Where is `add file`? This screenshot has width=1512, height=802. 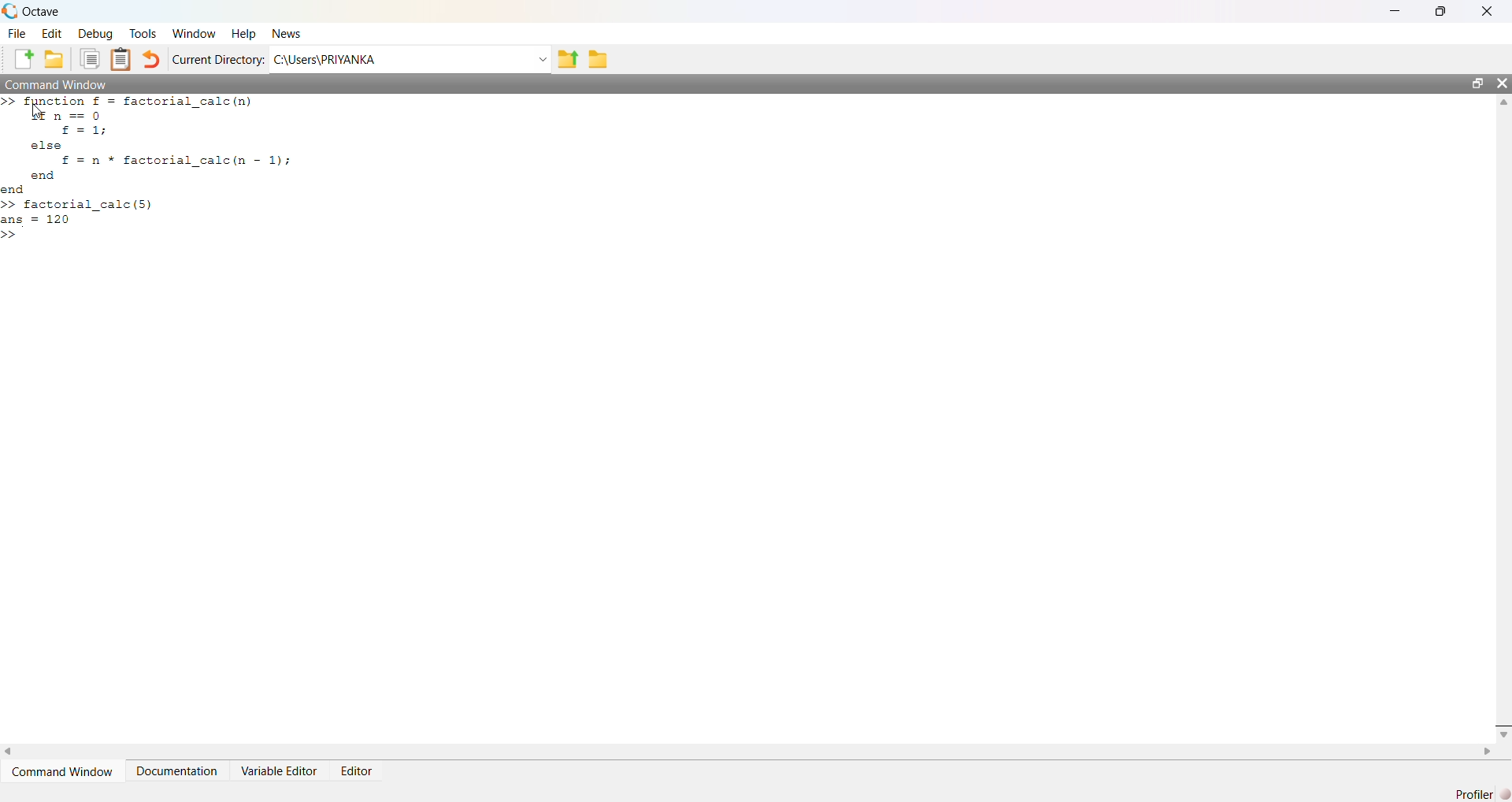 add file is located at coordinates (25, 60).